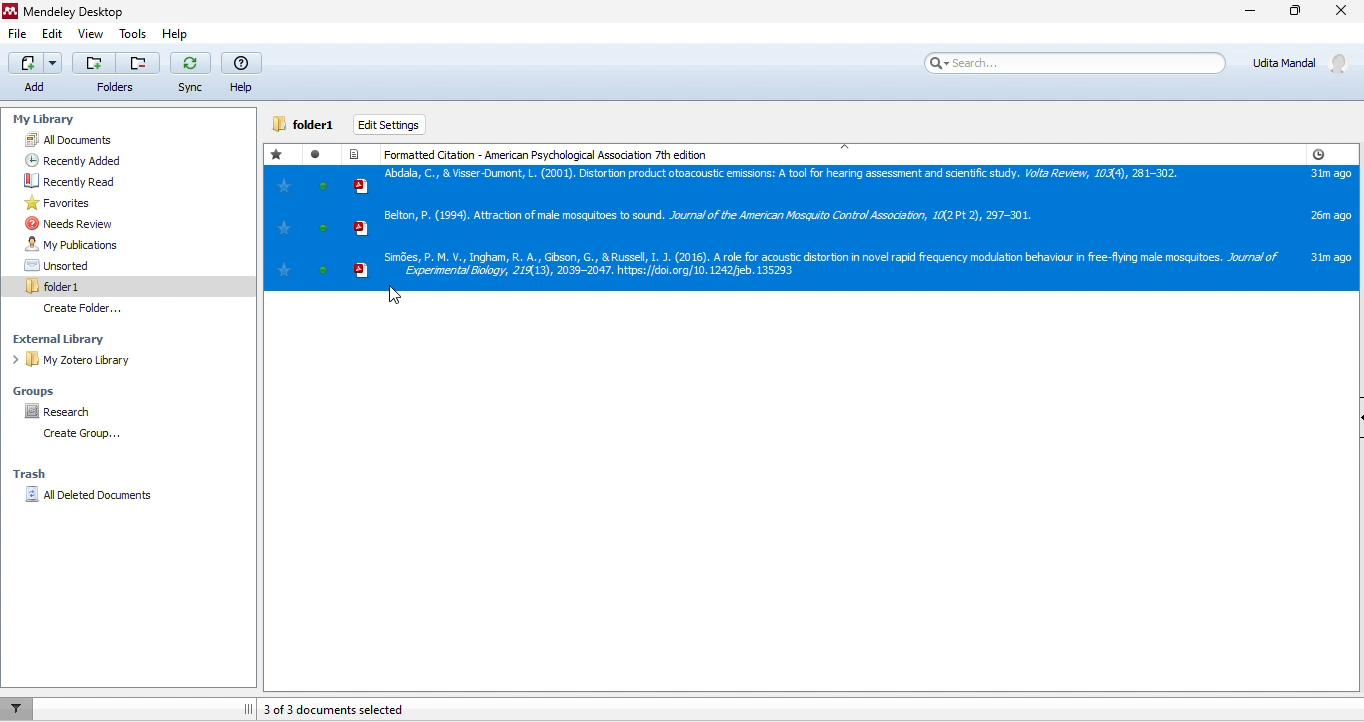 Image resolution: width=1364 pixels, height=722 pixels. I want to click on all documents, so click(82, 140).